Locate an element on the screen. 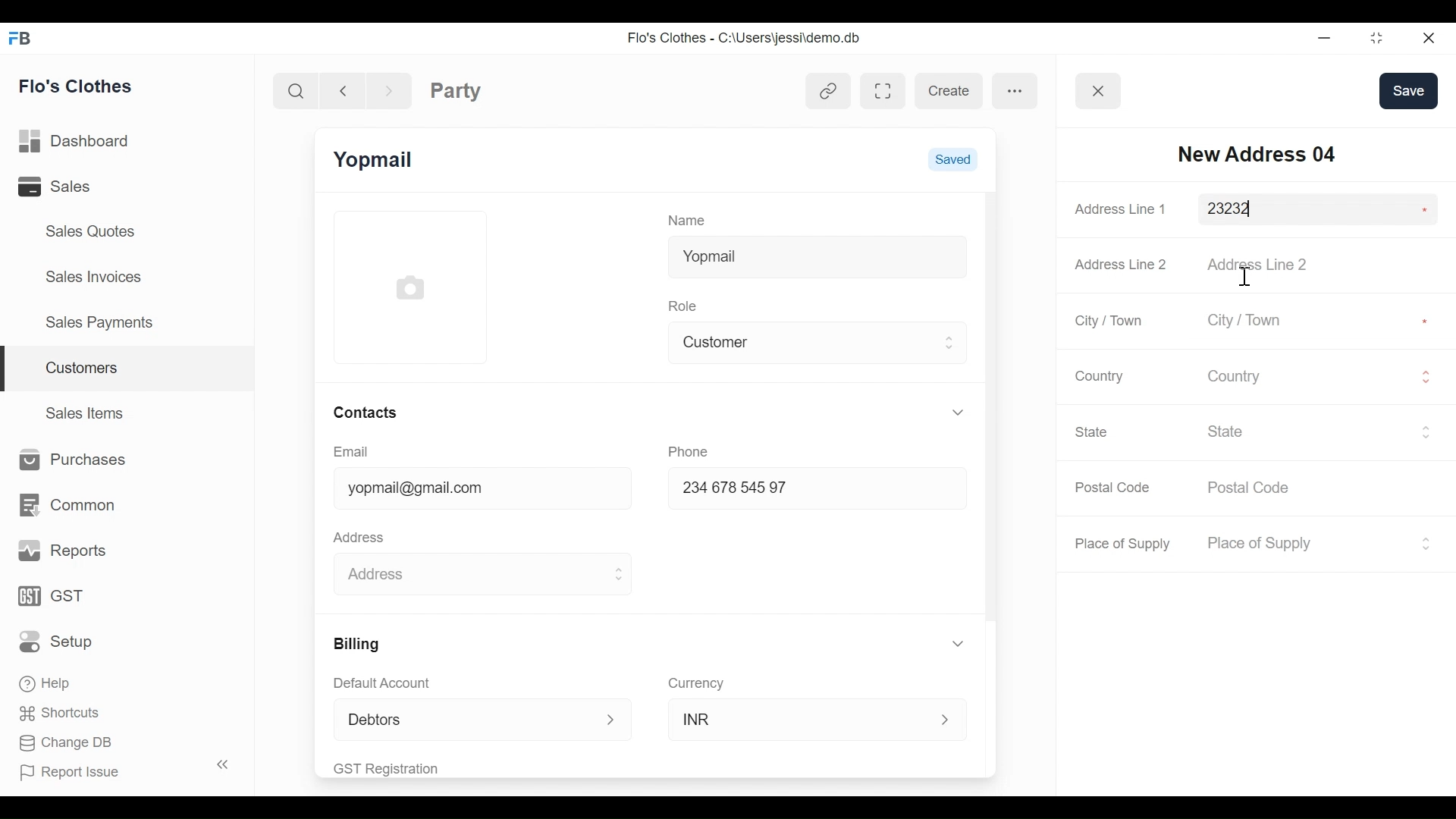 This screenshot has height=819, width=1456. Flo's Clothes - C:\Users\jessi\demo.db is located at coordinates (746, 39).